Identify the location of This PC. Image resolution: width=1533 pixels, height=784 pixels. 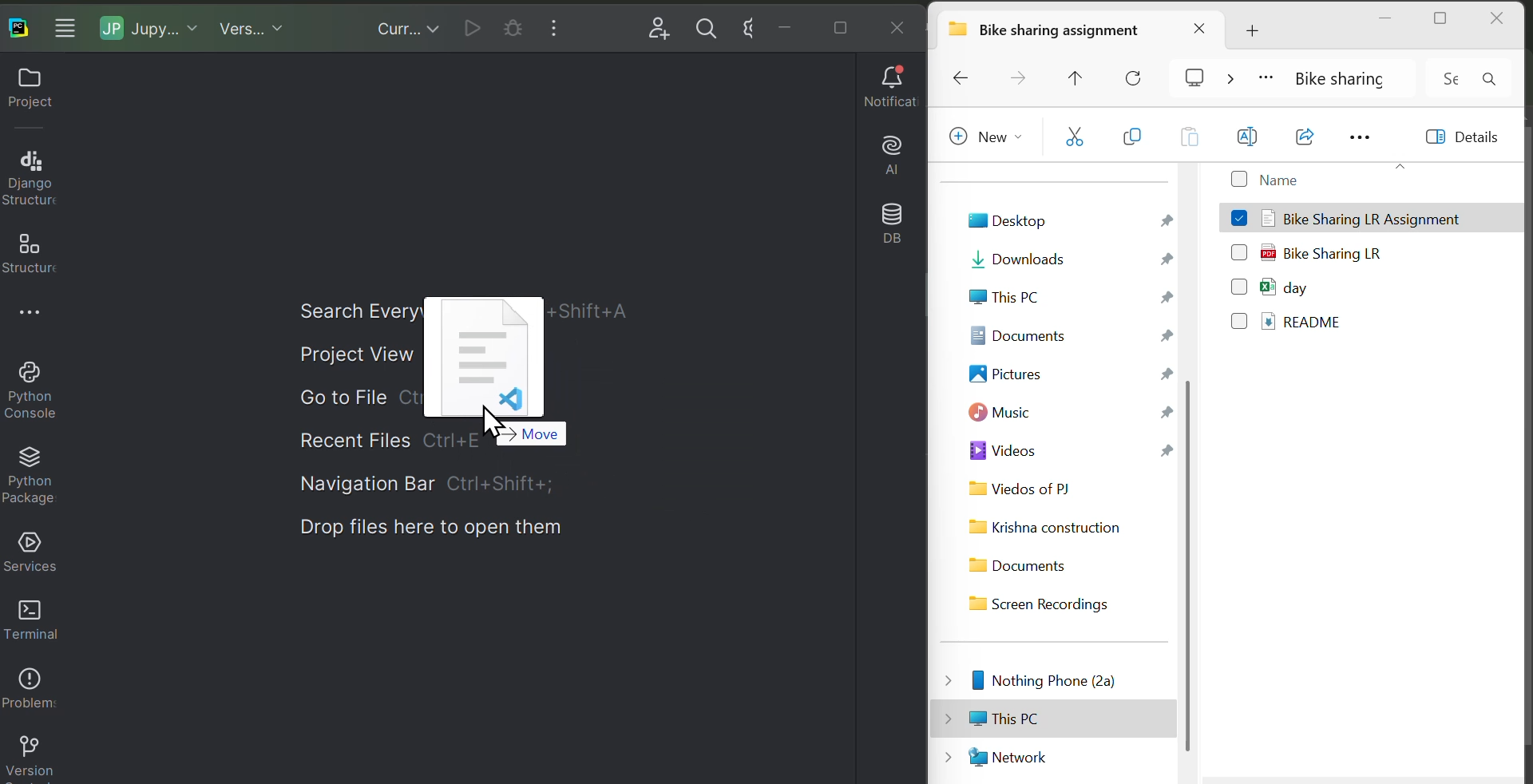
(1041, 716).